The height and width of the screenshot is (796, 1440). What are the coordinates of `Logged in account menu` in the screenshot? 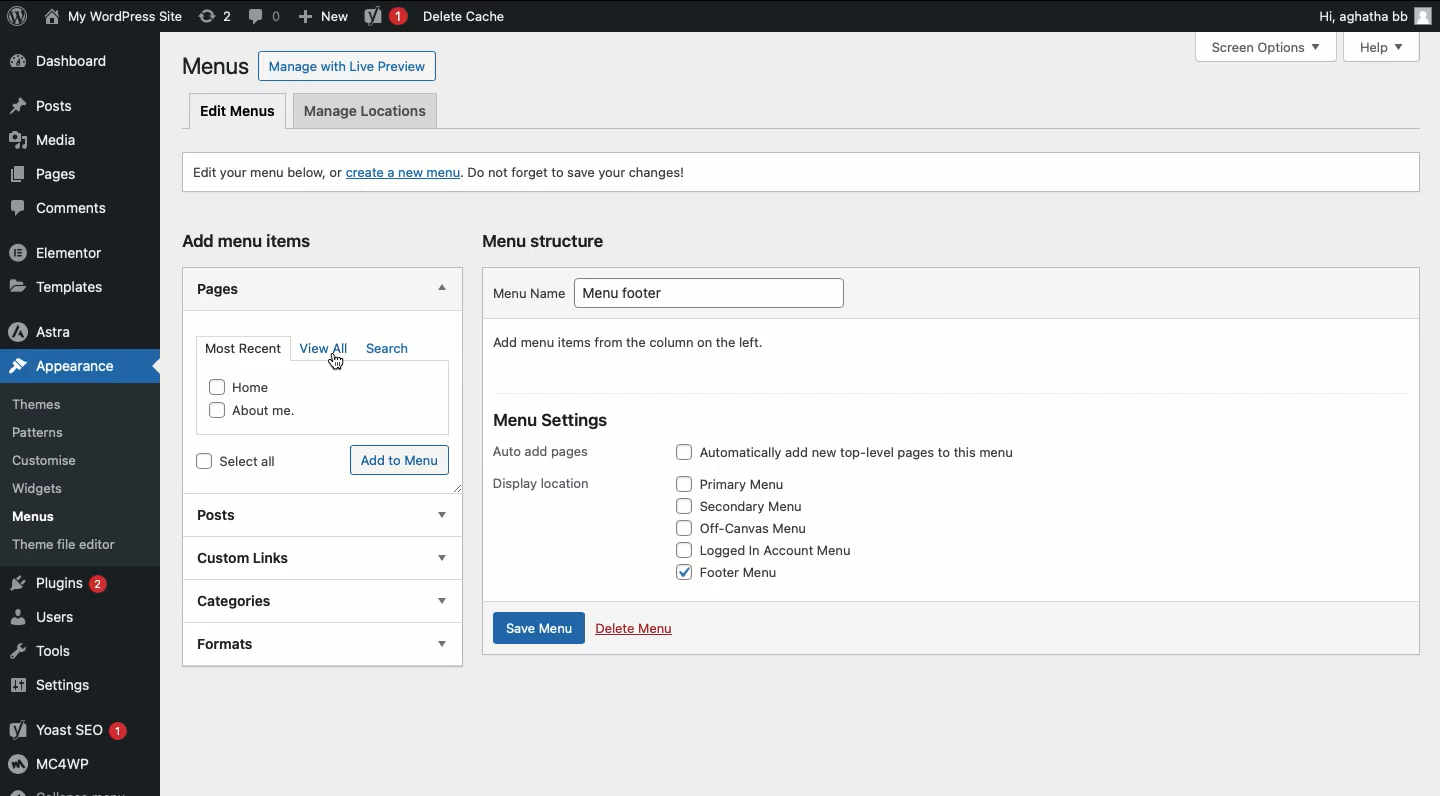 It's located at (794, 549).